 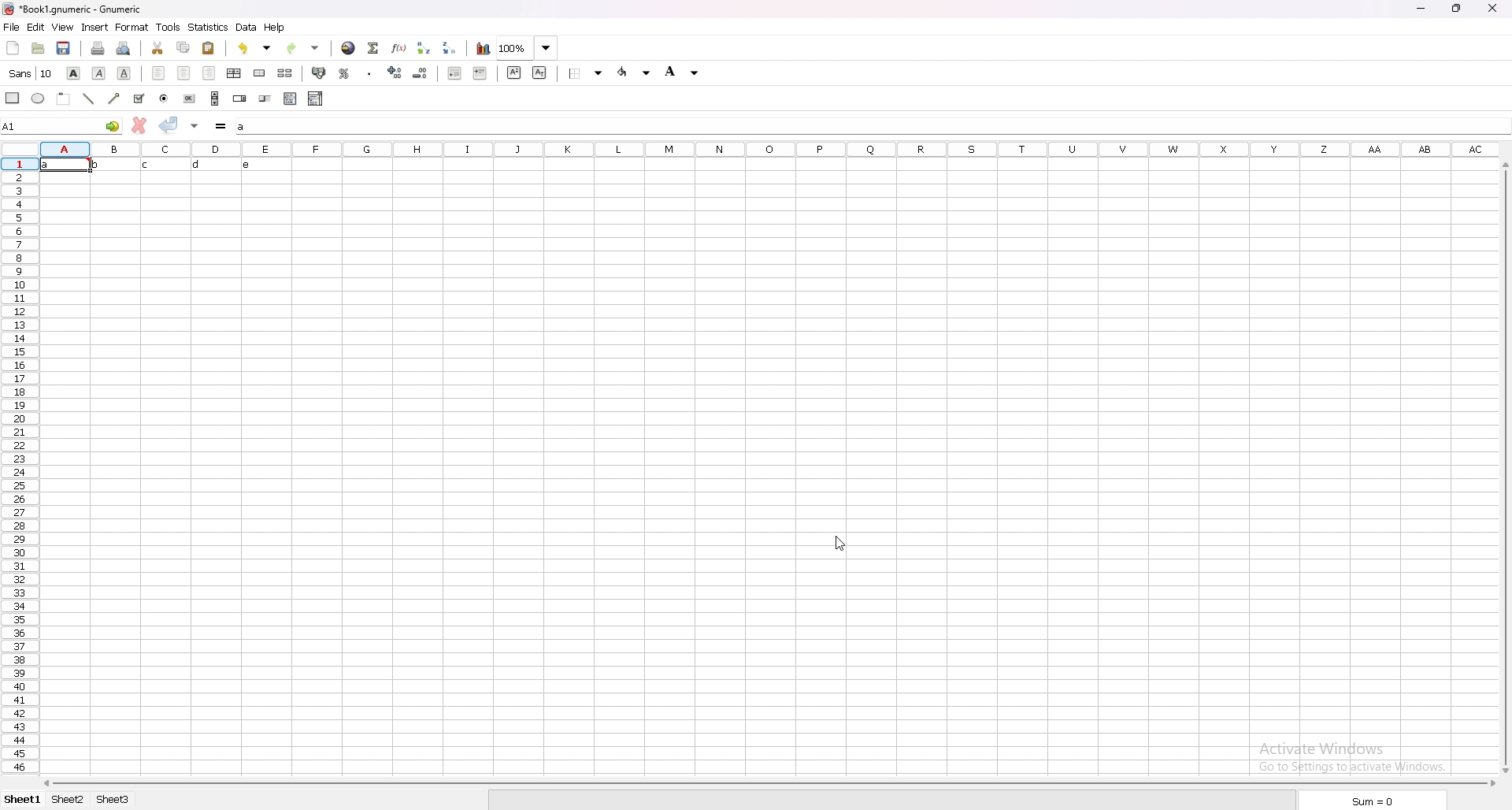 I want to click on line, so click(x=89, y=98).